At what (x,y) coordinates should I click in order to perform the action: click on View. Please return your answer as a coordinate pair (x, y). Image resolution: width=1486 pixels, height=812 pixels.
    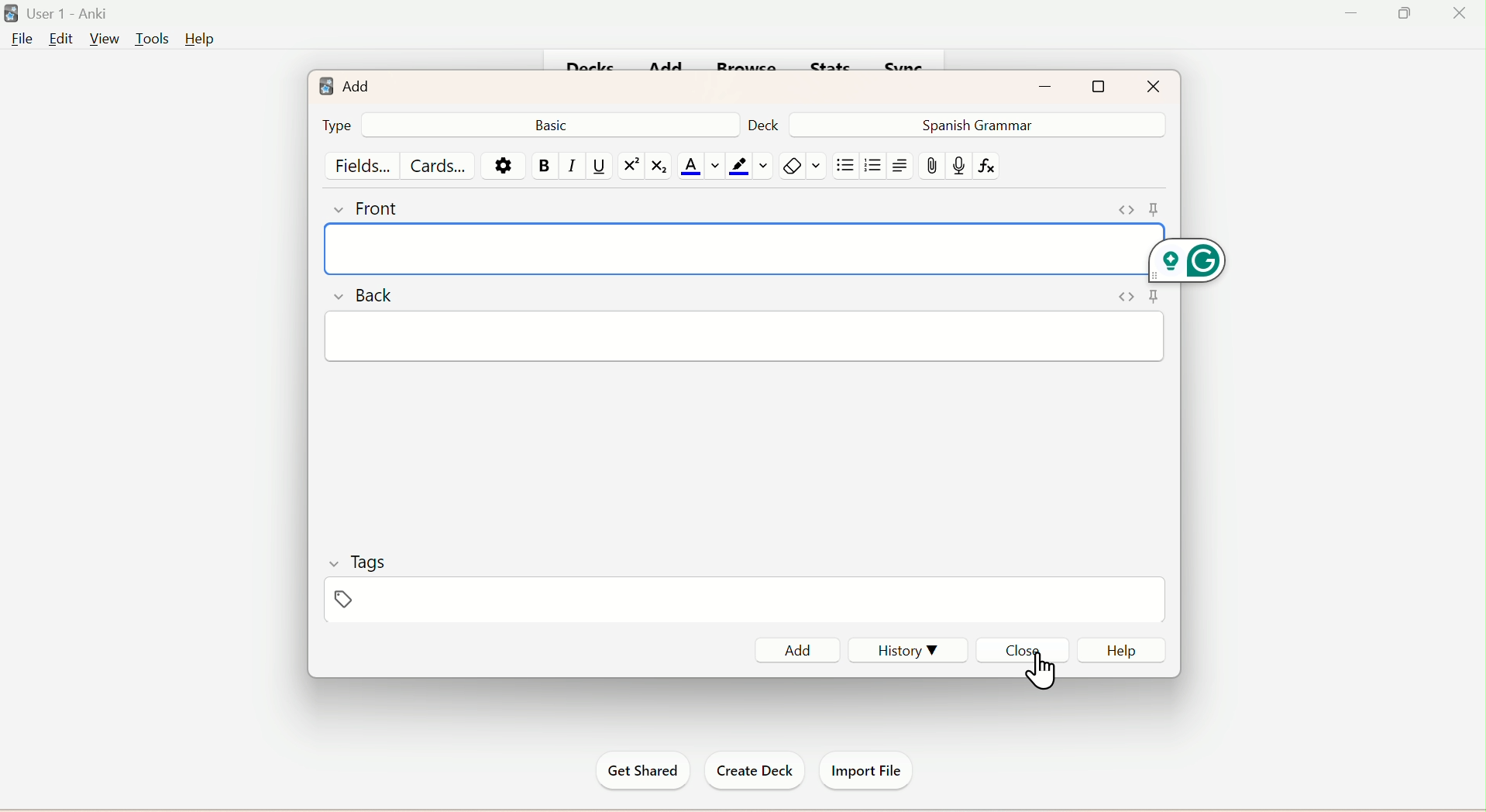
    Looking at the image, I should click on (102, 39).